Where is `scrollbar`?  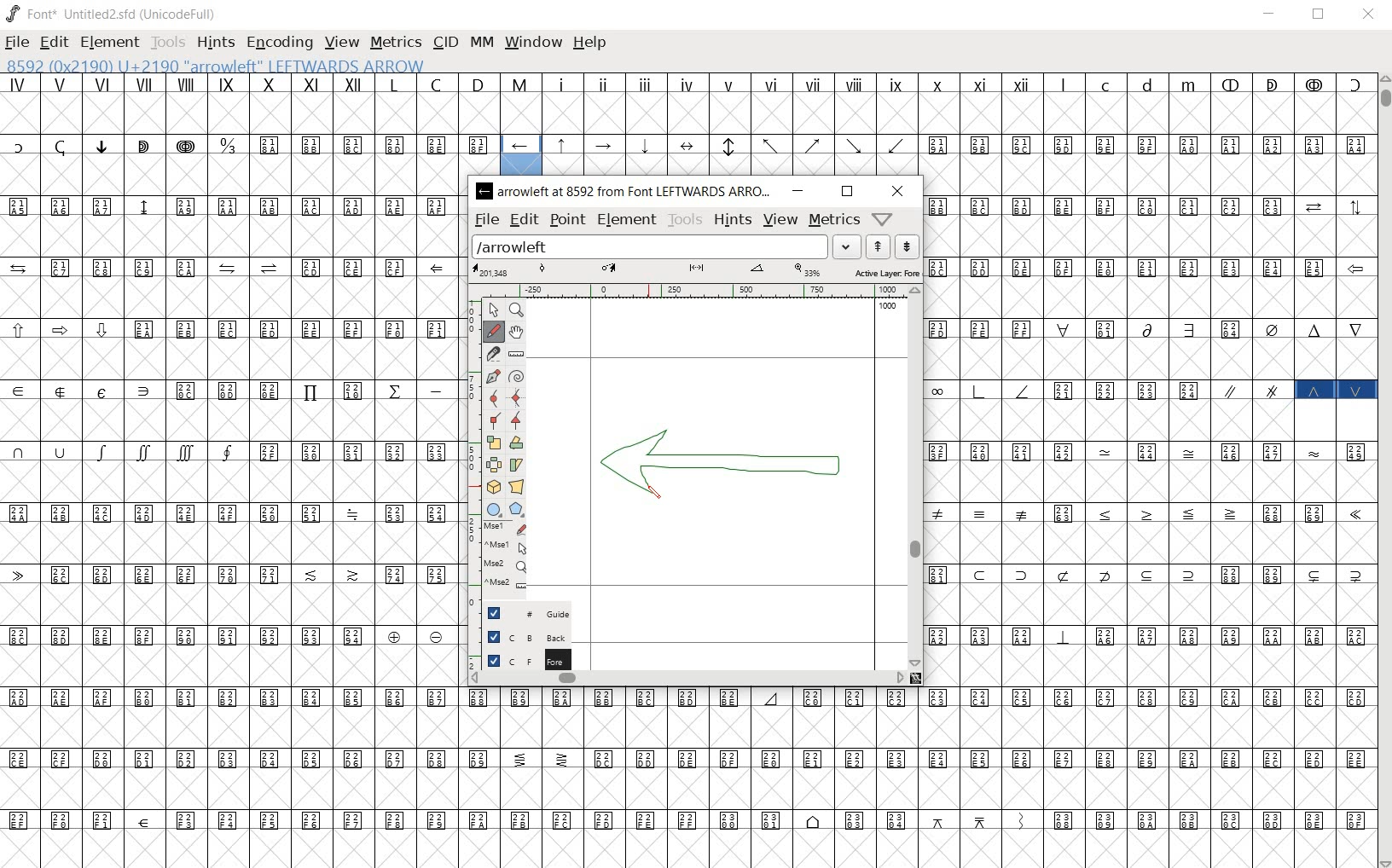
scrollbar is located at coordinates (687, 679).